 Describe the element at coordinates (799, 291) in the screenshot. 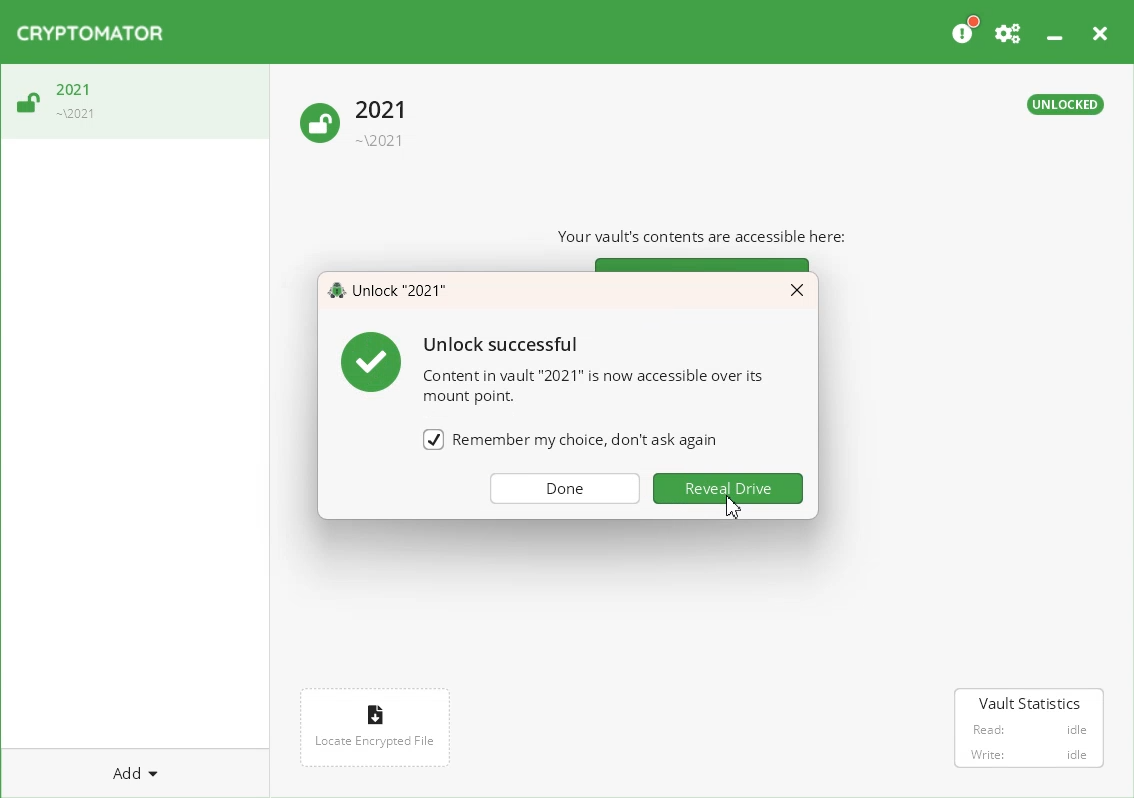

I see `Close` at that location.